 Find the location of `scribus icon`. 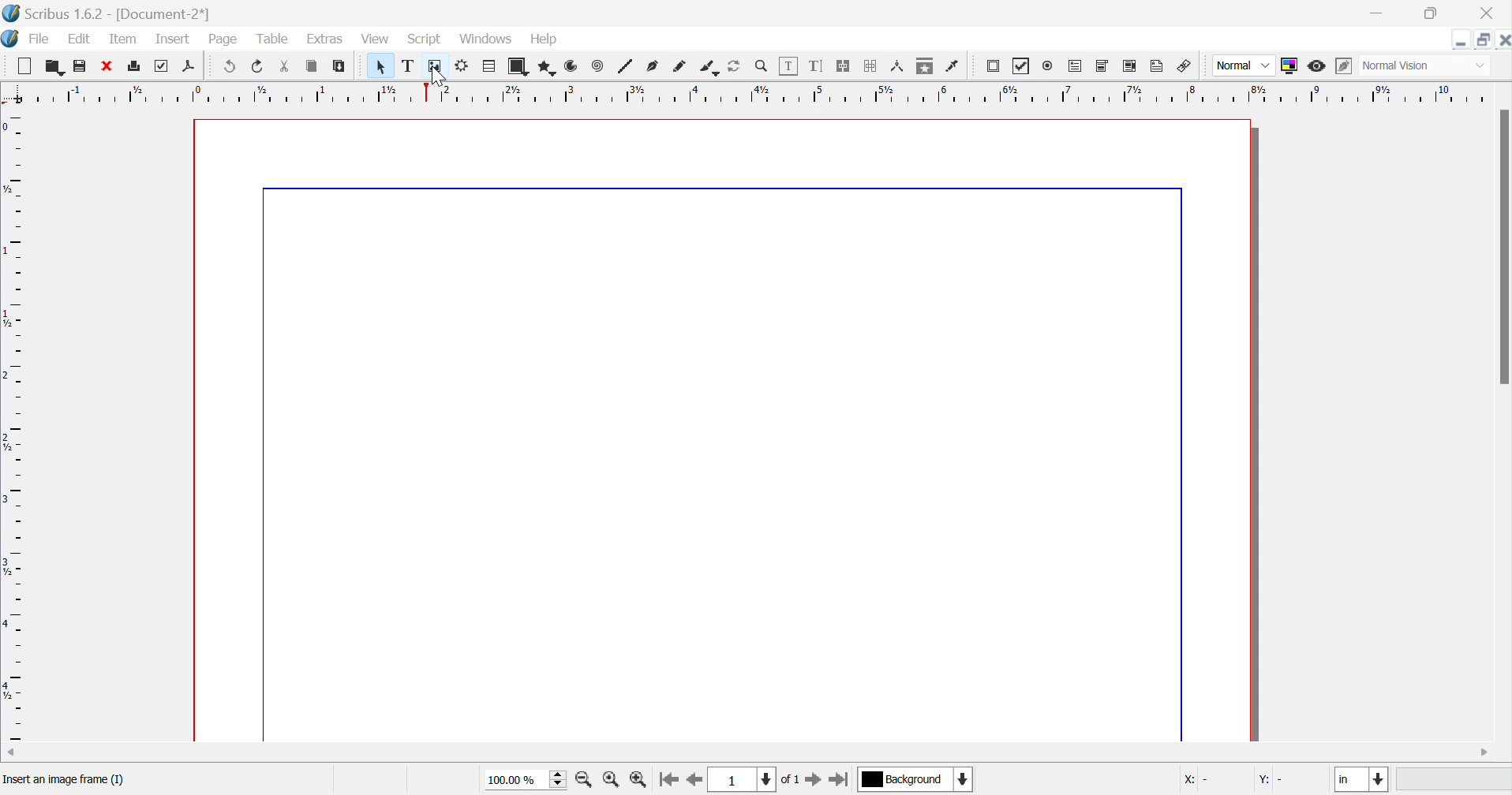

scribus icon is located at coordinates (10, 38).